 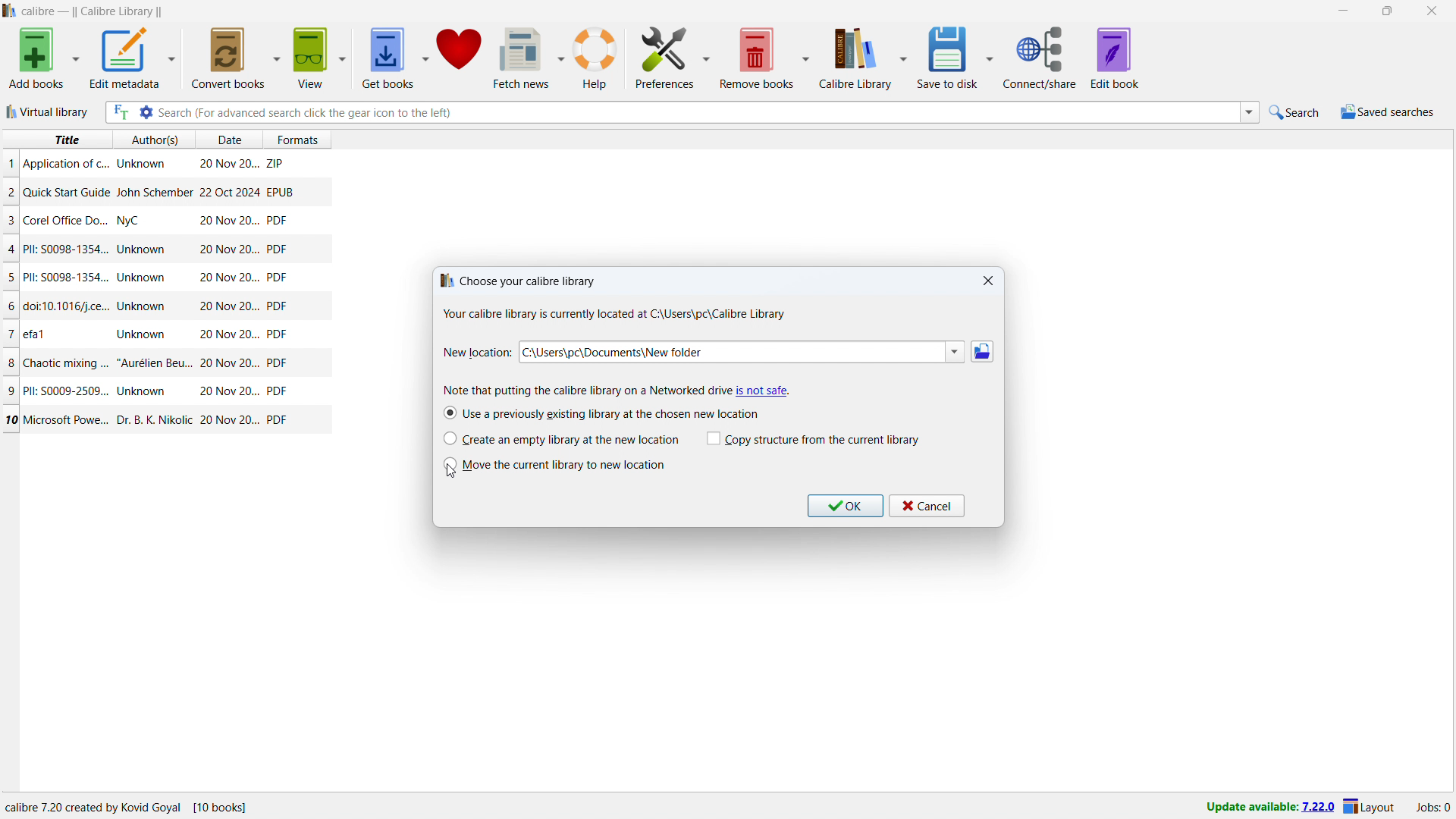 I want to click on 4, so click(x=12, y=249).